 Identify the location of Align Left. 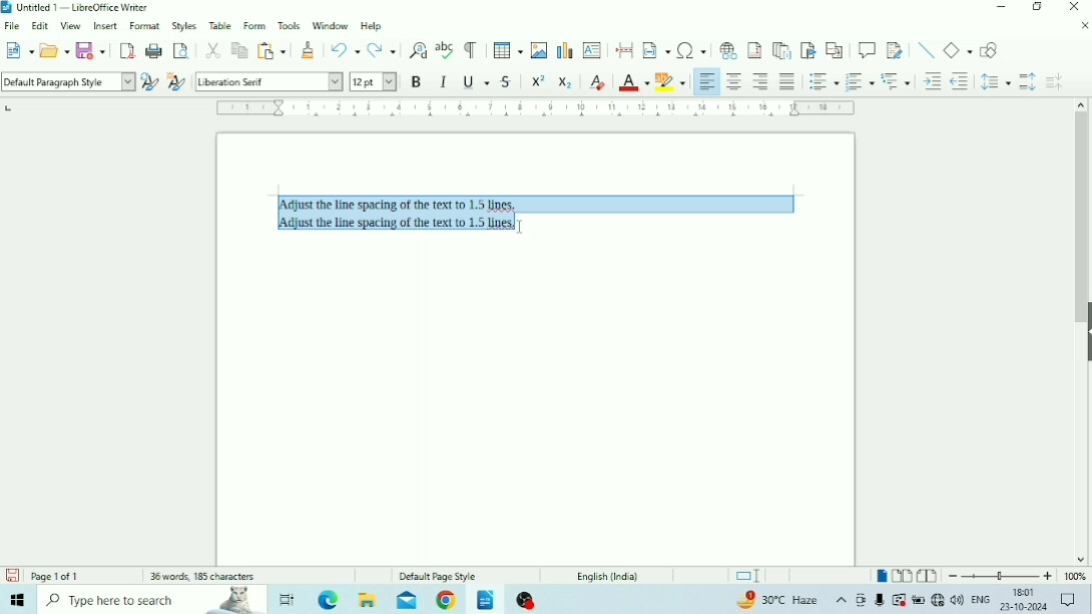
(706, 81).